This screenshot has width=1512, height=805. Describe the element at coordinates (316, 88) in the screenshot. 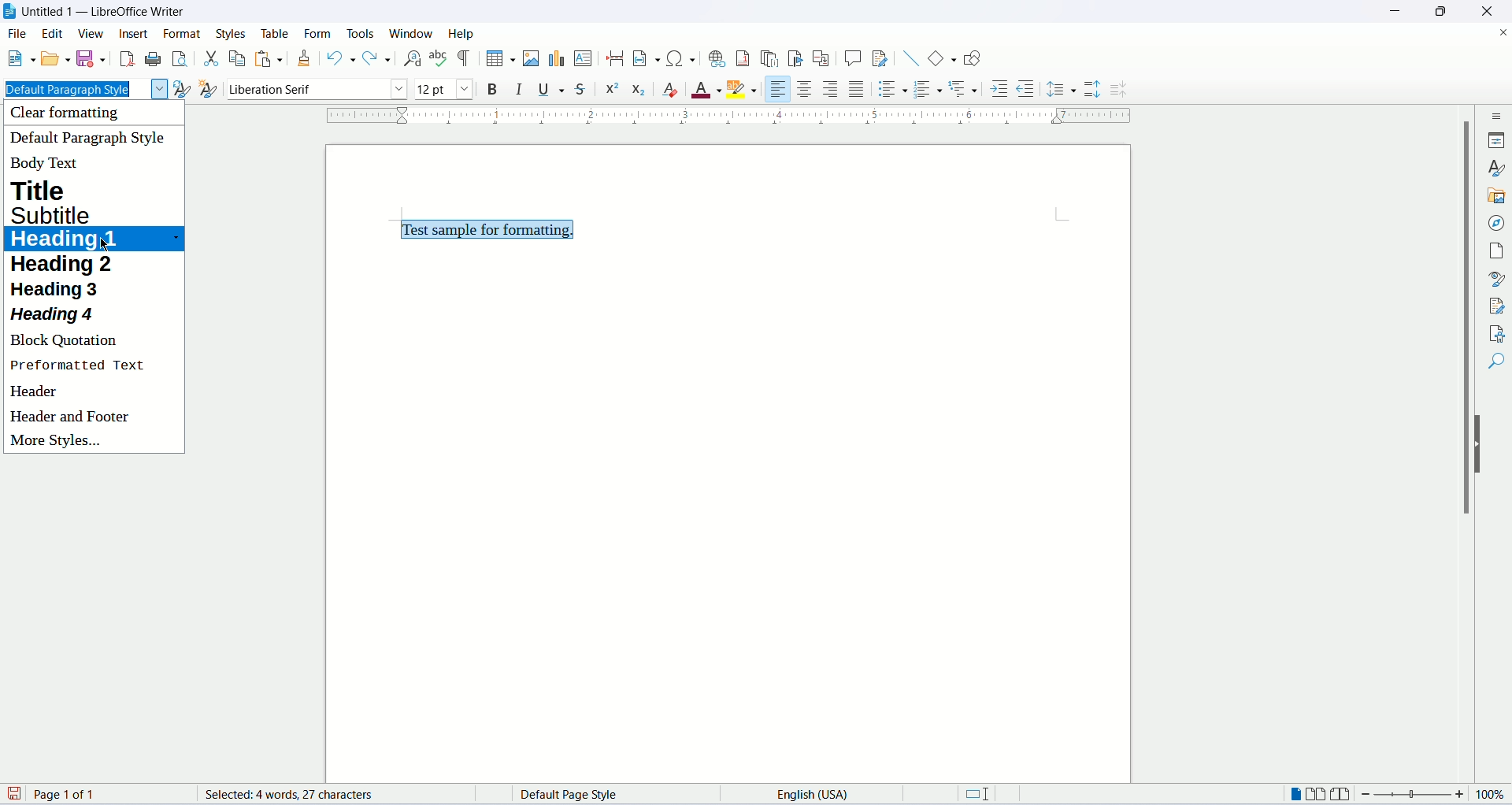

I see `font name` at that location.